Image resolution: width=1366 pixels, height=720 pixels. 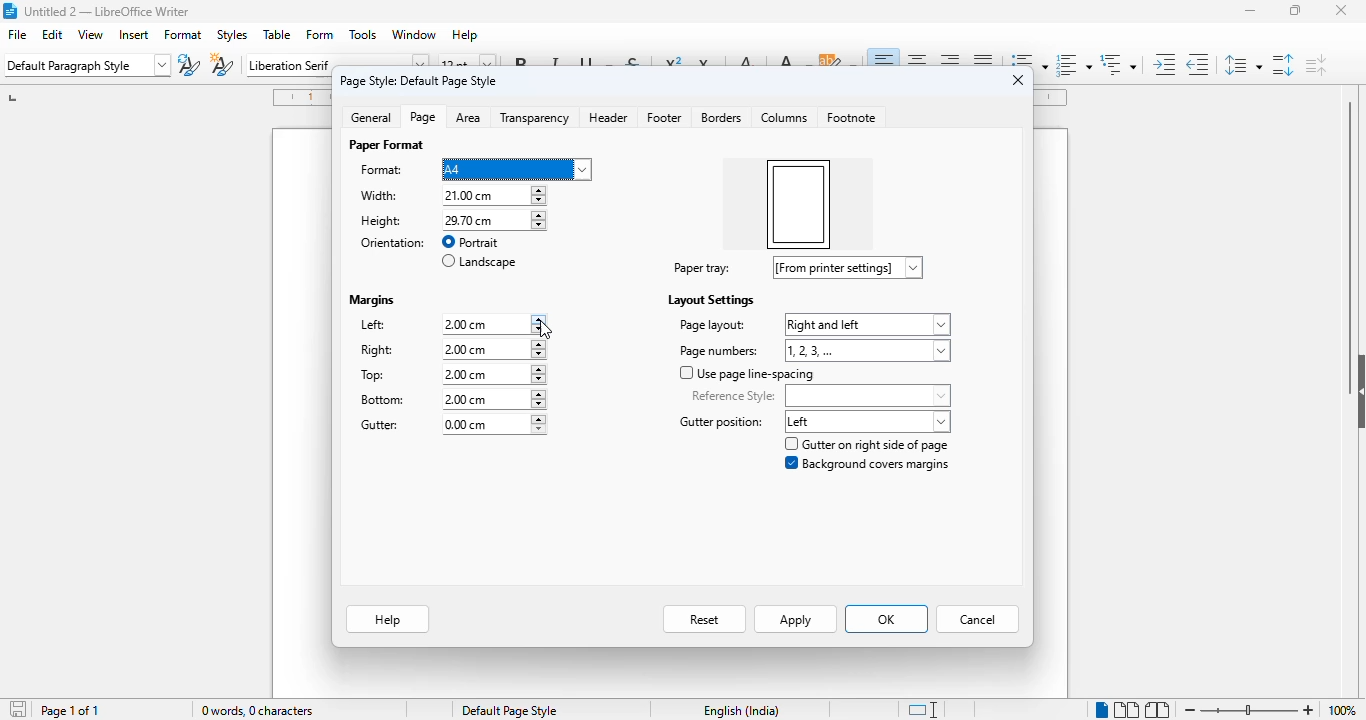 What do you see at coordinates (867, 464) in the screenshot?
I see `background covers margins` at bounding box center [867, 464].